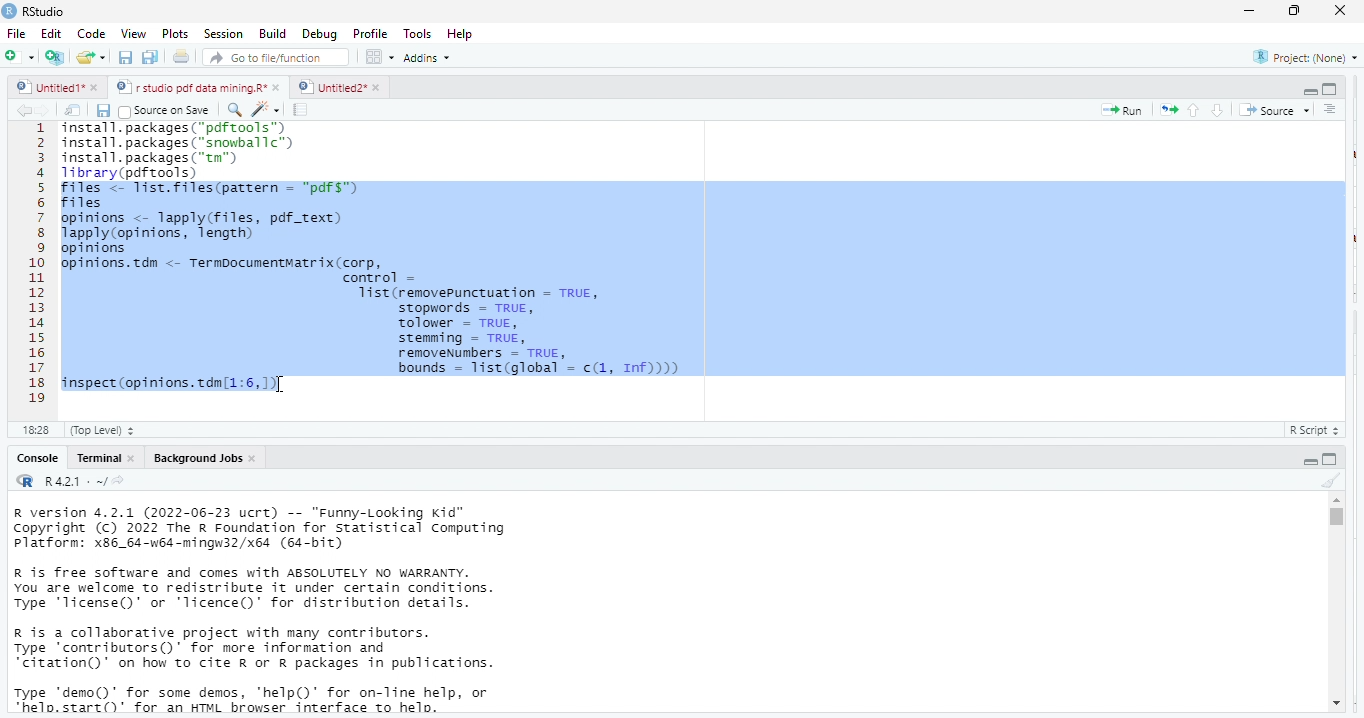 This screenshot has height=718, width=1364. What do you see at coordinates (108, 430) in the screenshot?
I see `top level` at bounding box center [108, 430].